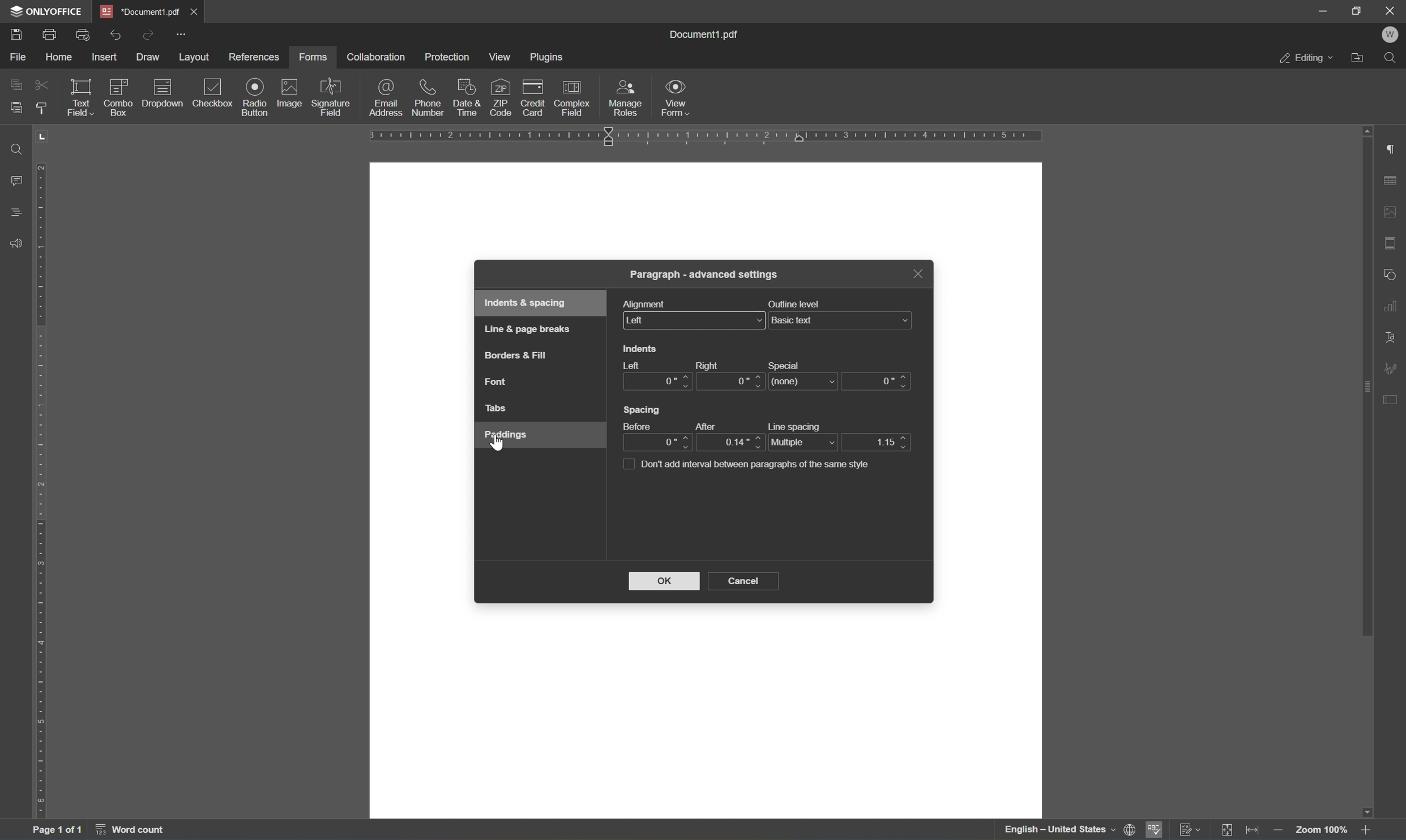 Image resolution: width=1406 pixels, height=840 pixels. Describe the element at coordinates (385, 97) in the screenshot. I see `email adddress` at that location.